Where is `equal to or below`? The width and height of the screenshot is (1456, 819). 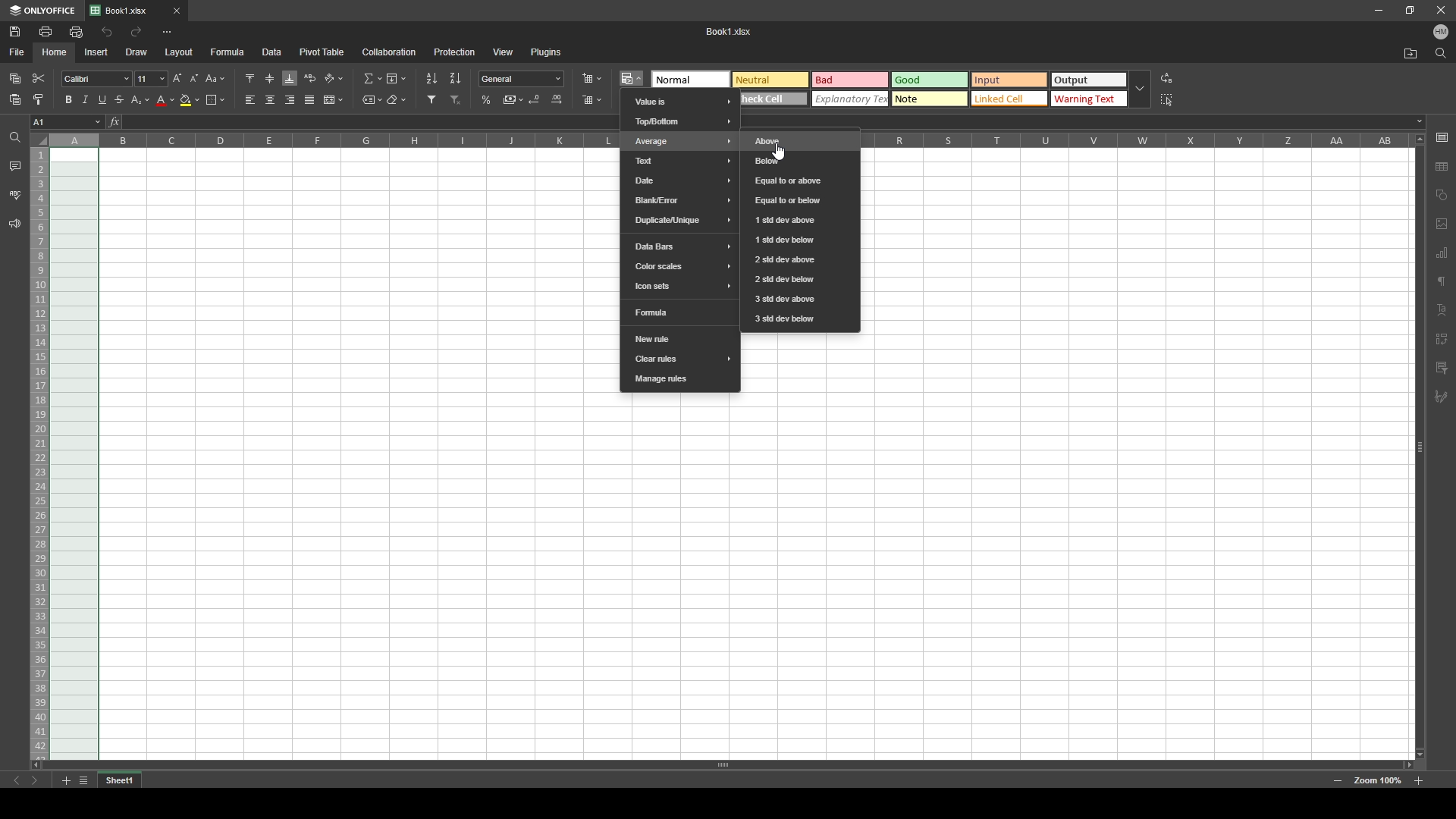 equal to or below is located at coordinates (798, 200).